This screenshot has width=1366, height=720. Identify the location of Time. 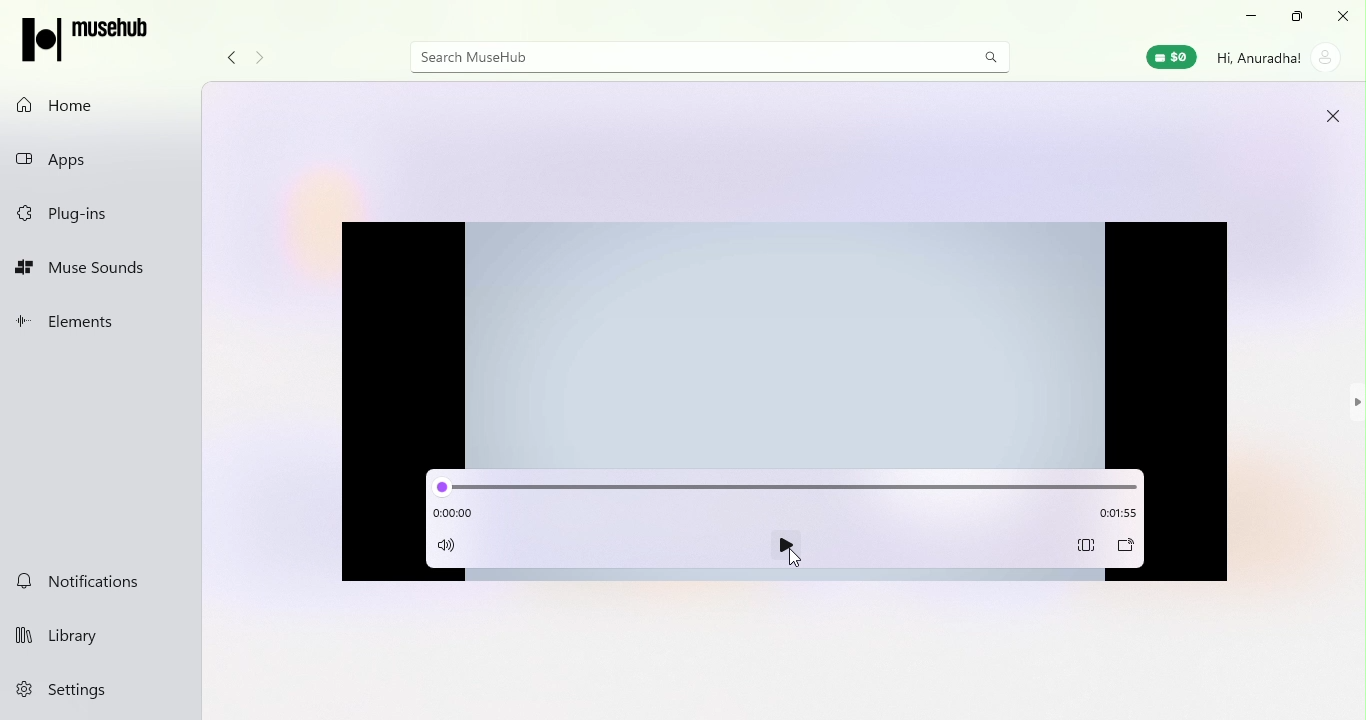
(1109, 514).